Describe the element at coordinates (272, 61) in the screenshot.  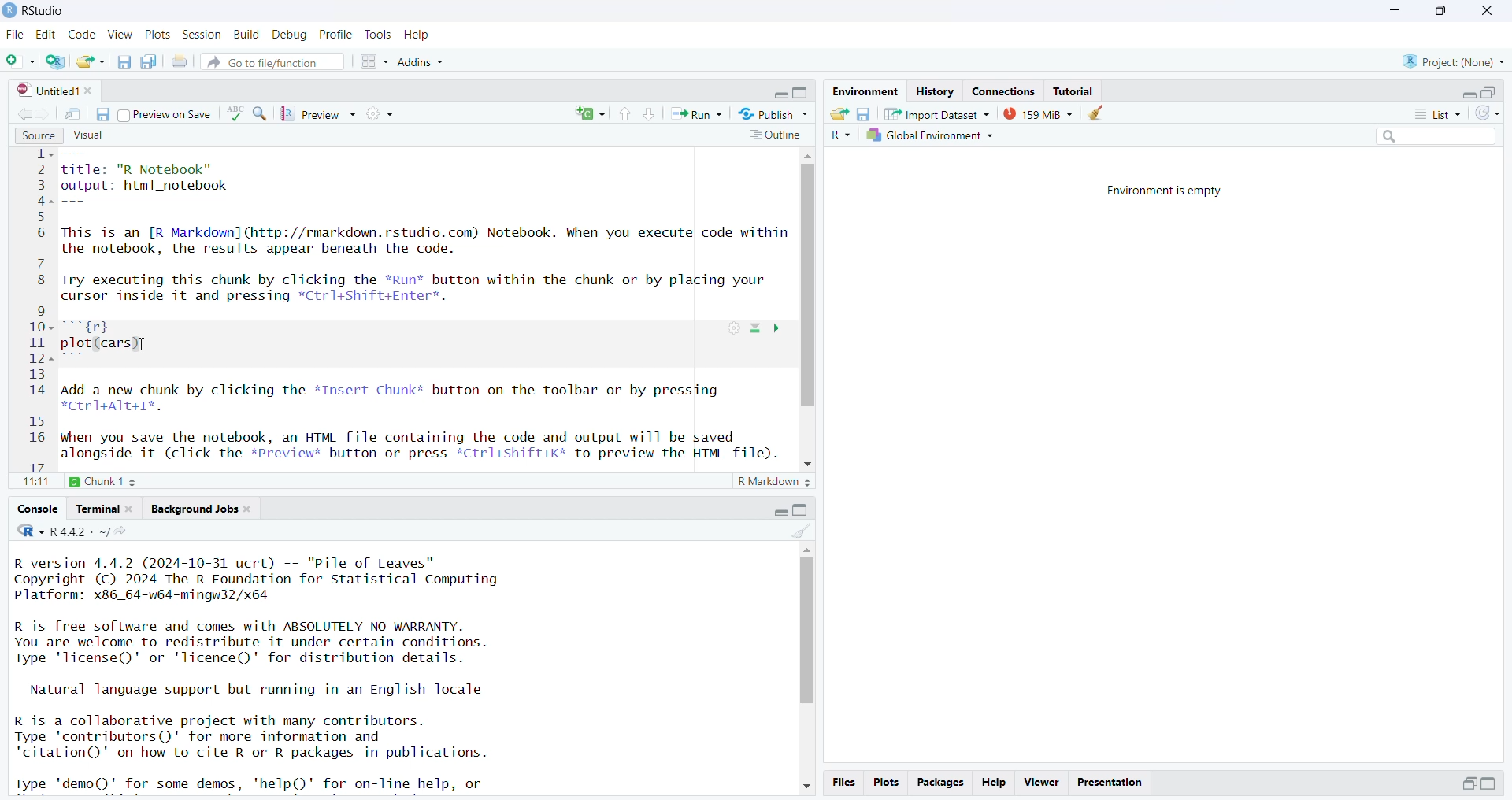
I see `go to file/function` at that location.